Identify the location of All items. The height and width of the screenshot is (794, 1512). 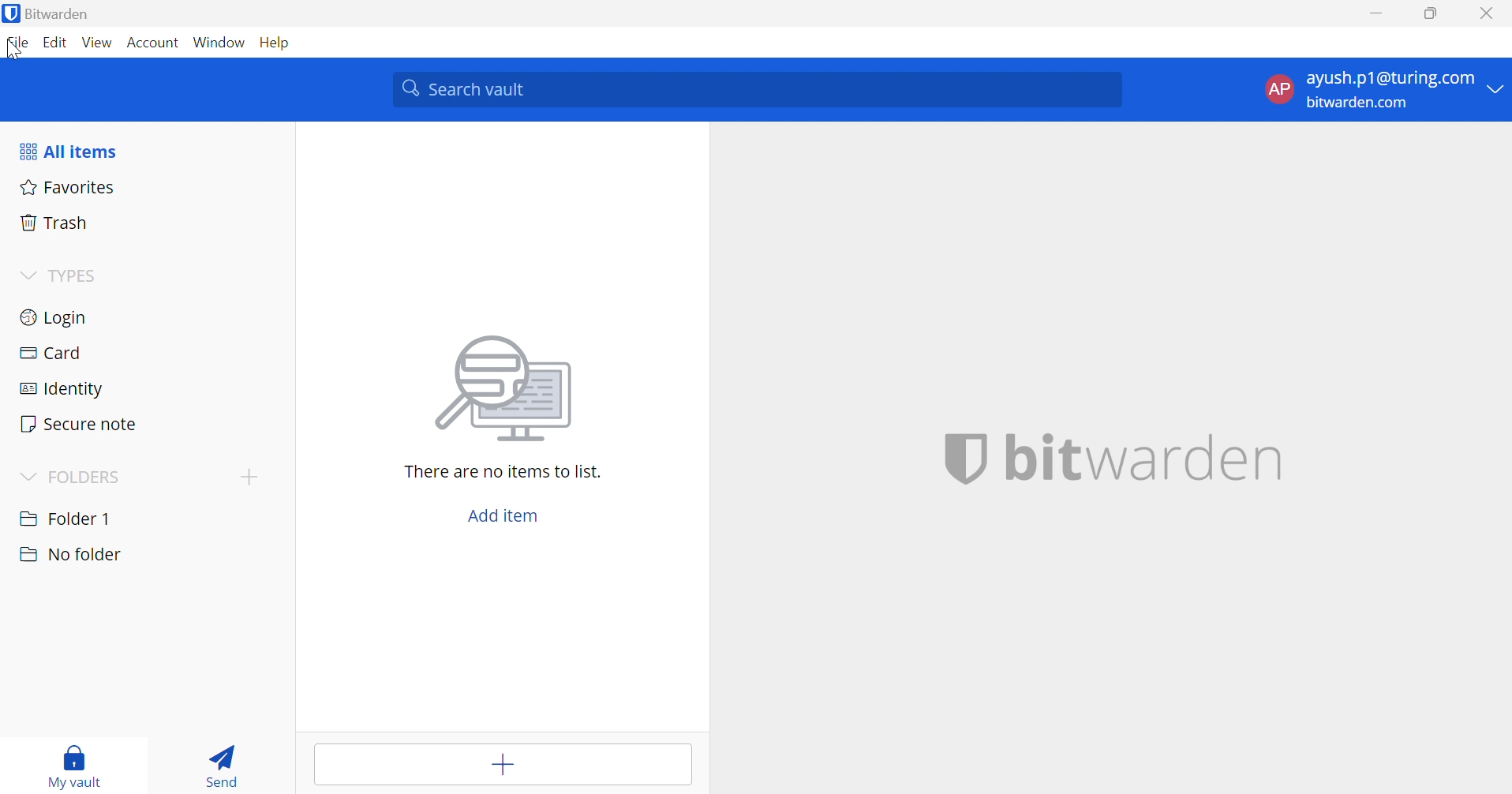
(66, 151).